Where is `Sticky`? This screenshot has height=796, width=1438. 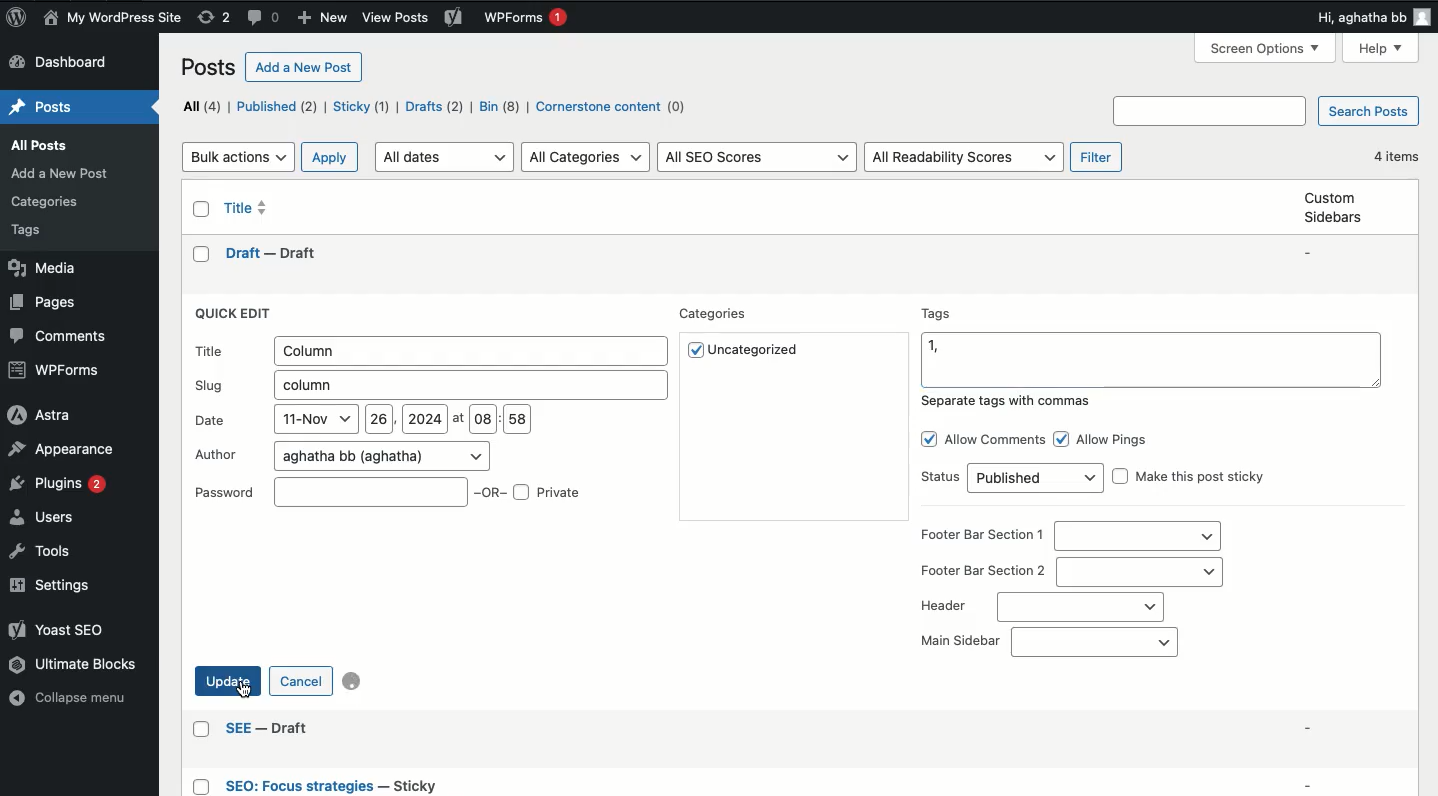 Sticky is located at coordinates (362, 107).